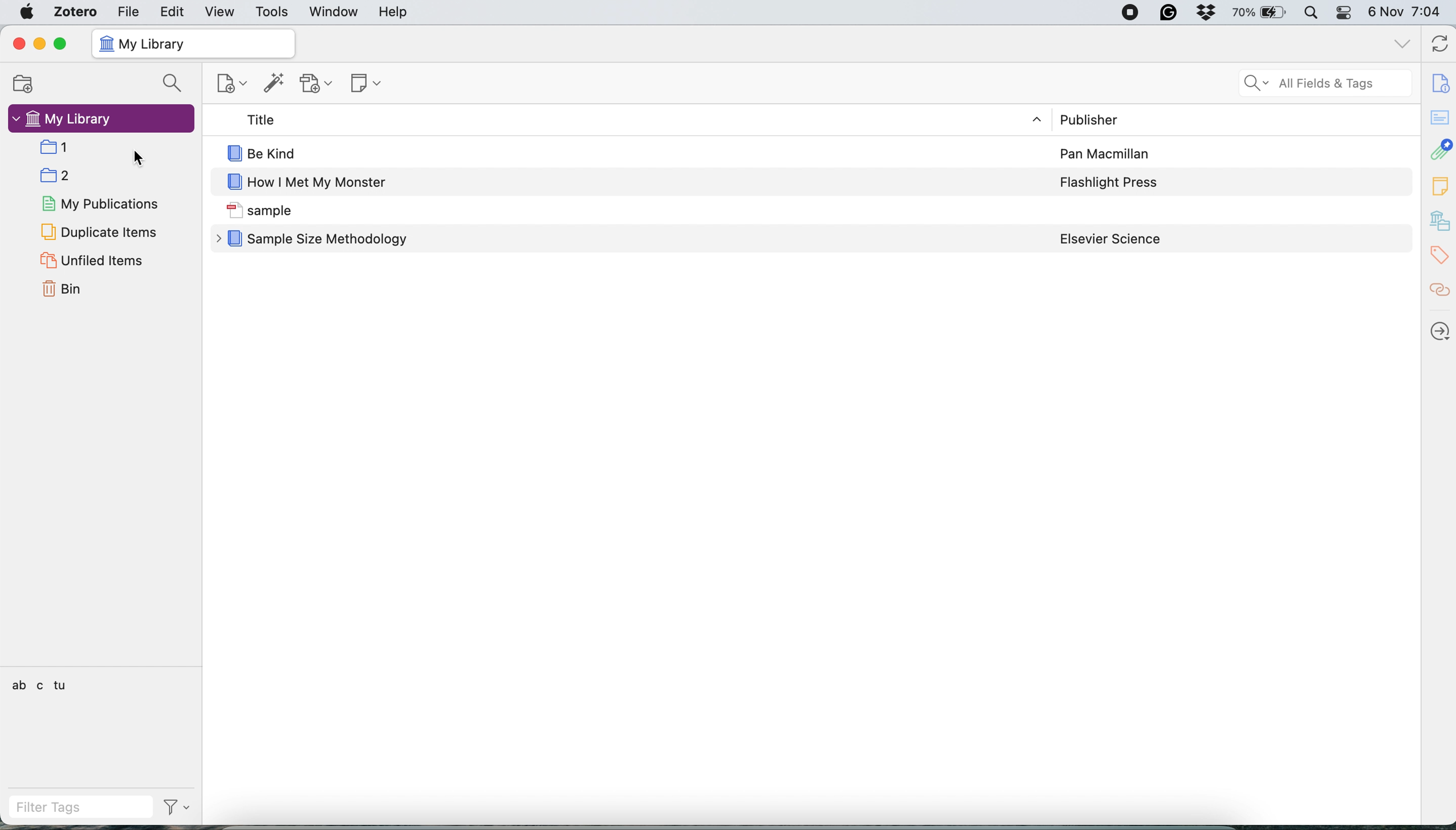 The height and width of the screenshot is (830, 1456). Describe the element at coordinates (1129, 13) in the screenshot. I see `screen recorder` at that location.